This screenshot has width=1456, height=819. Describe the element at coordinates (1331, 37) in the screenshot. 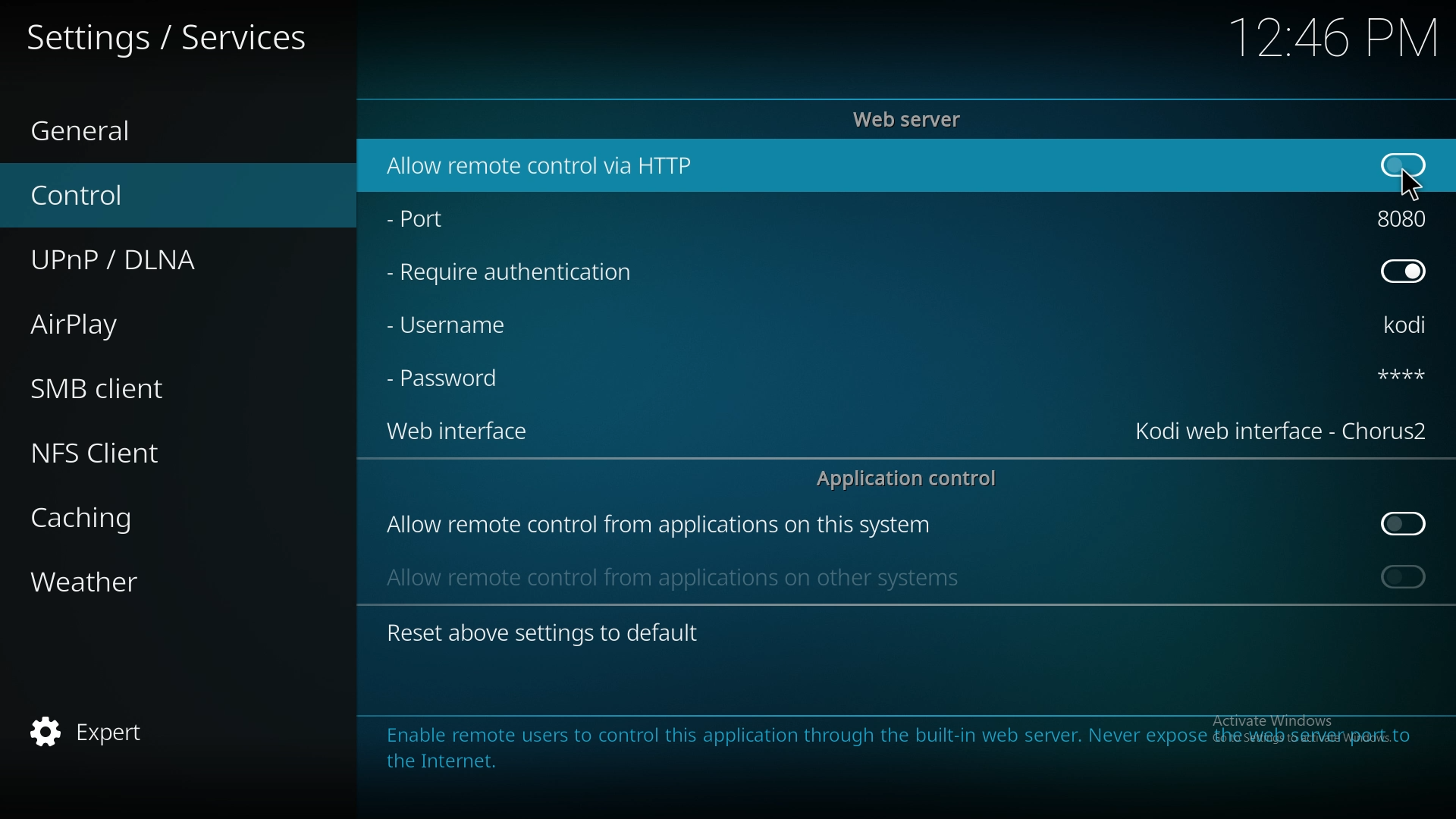

I see `time` at that location.